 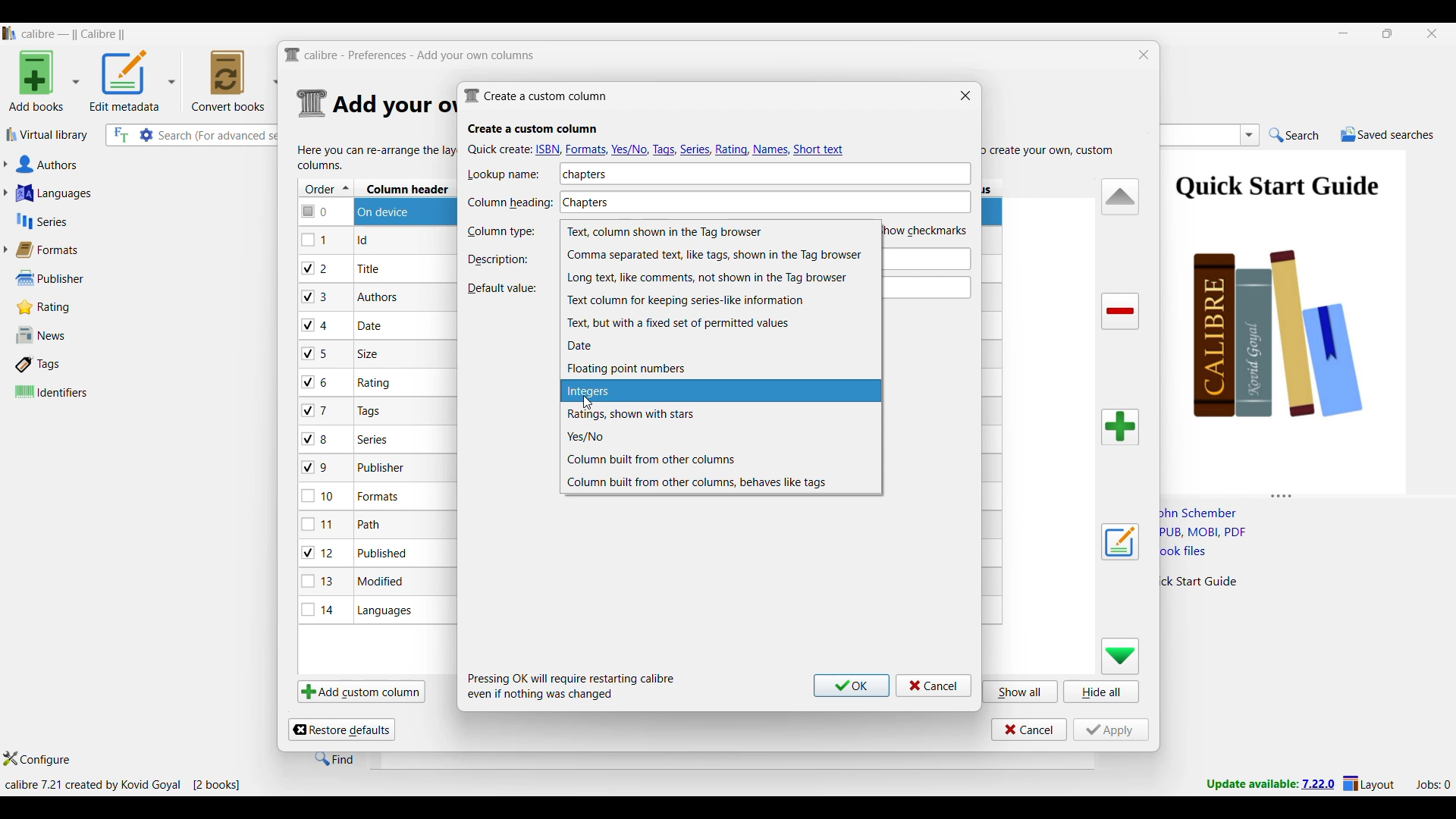 I want to click on Show all, so click(x=1021, y=691).